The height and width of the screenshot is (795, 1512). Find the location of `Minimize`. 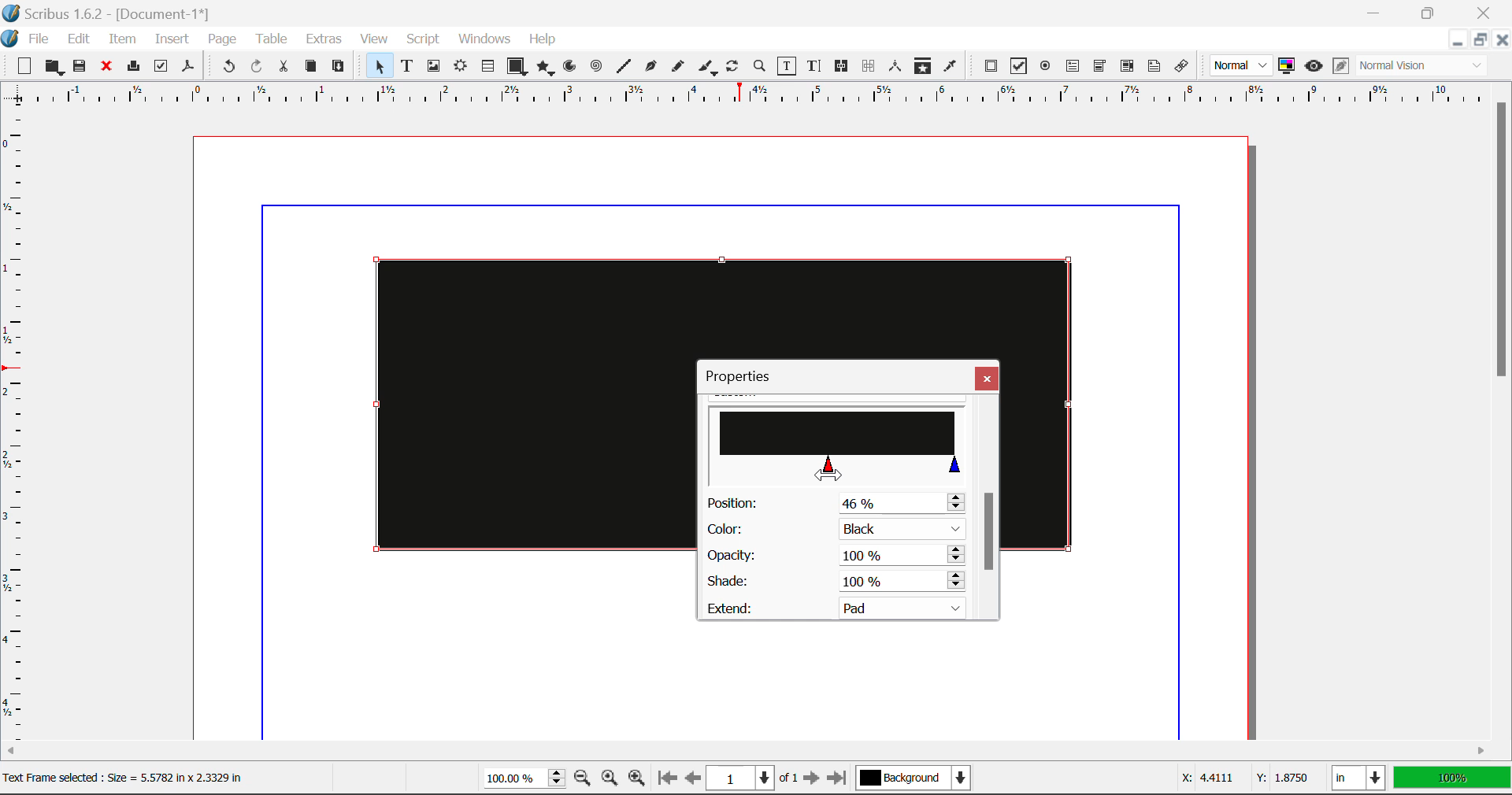

Minimize is located at coordinates (1478, 39).